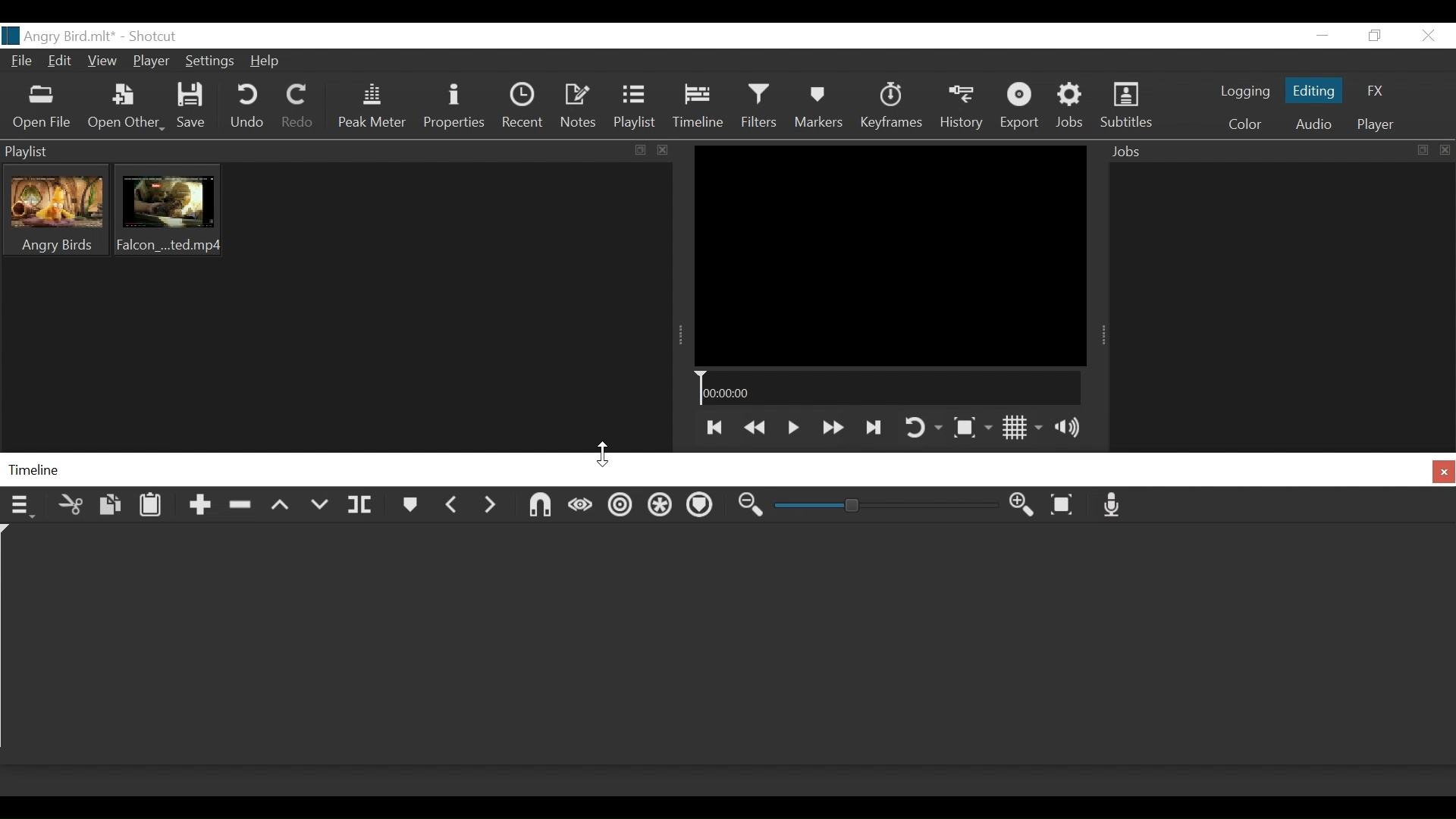 Image resolution: width=1456 pixels, height=819 pixels. What do you see at coordinates (108, 507) in the screenshot?
I see `Copy` at bounding box center [108, 507].